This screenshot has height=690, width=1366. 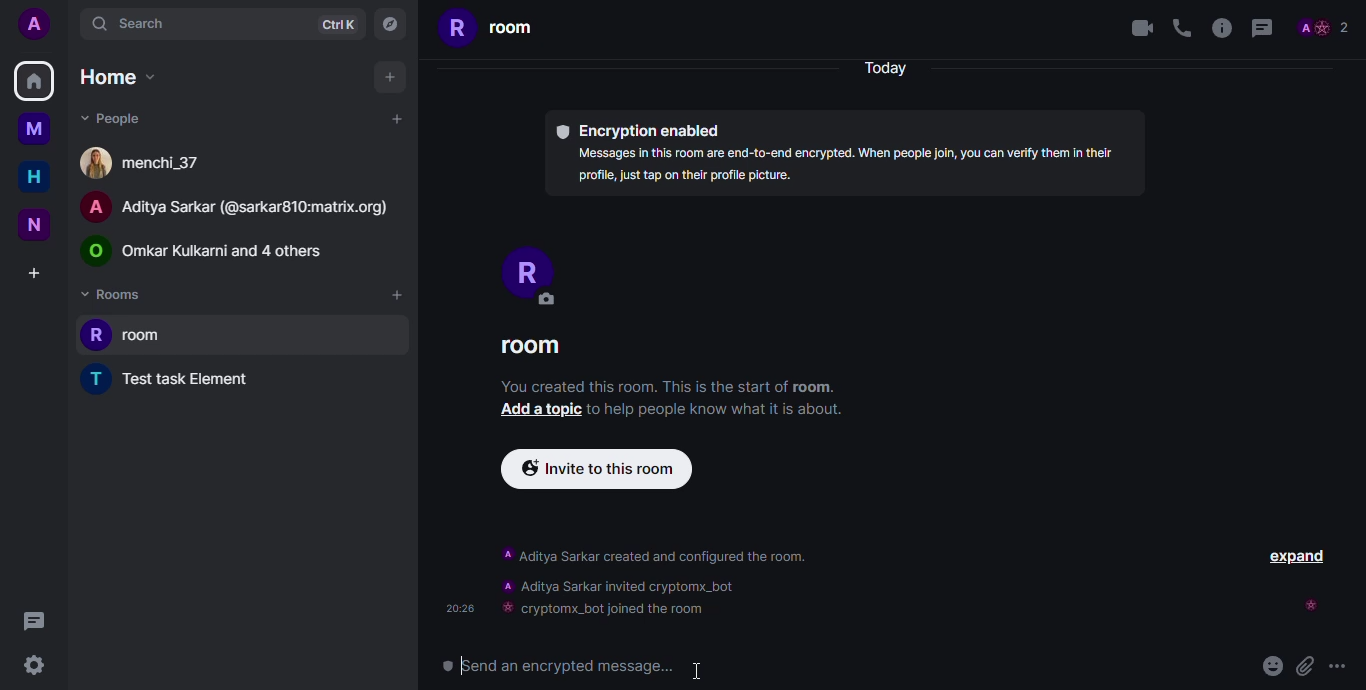 I want to click on myspace, so click(x=37, y=128).